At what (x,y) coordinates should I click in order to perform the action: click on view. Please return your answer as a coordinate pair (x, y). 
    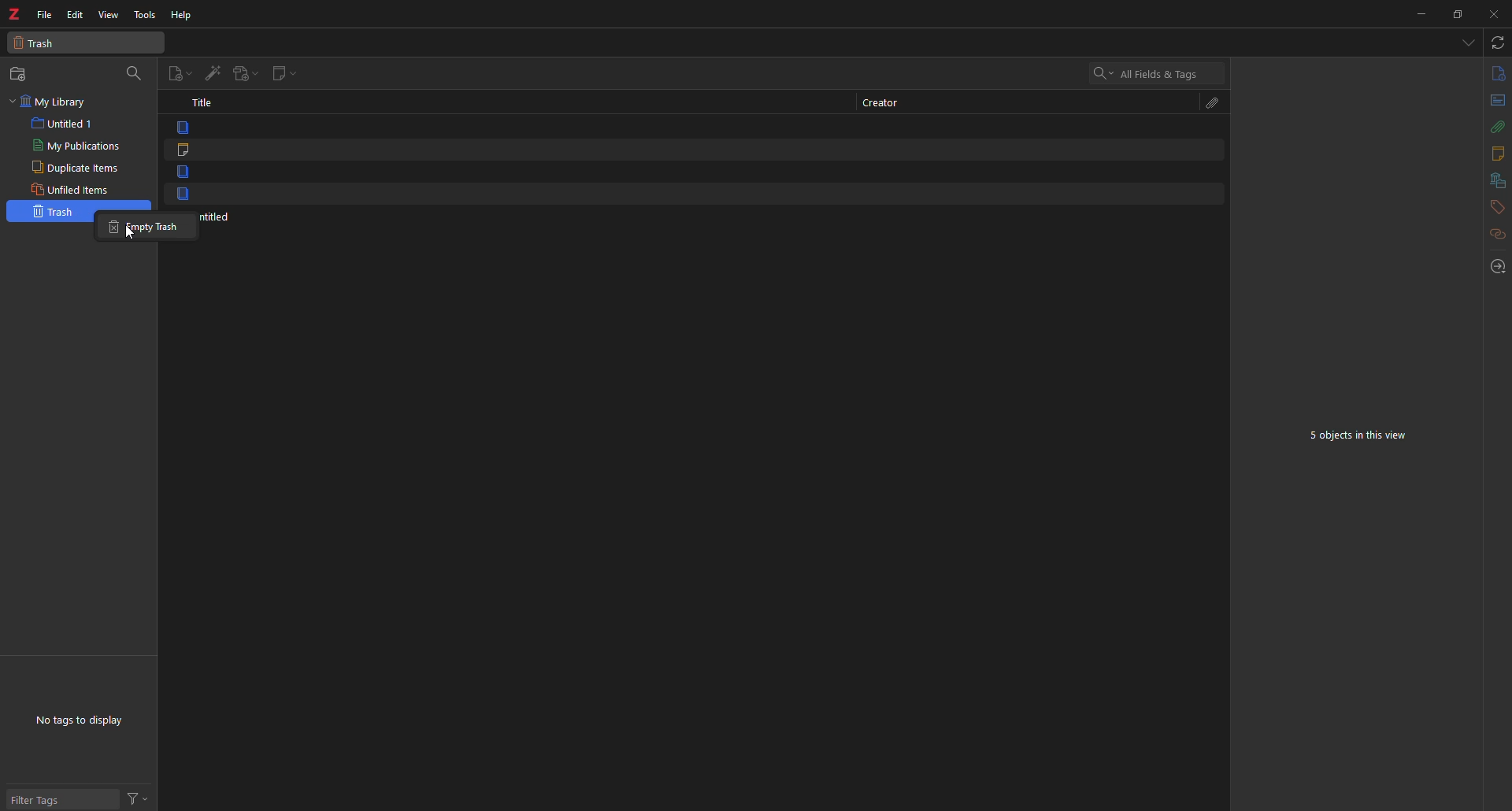
    Looking at the image, I should click on (109, 16).